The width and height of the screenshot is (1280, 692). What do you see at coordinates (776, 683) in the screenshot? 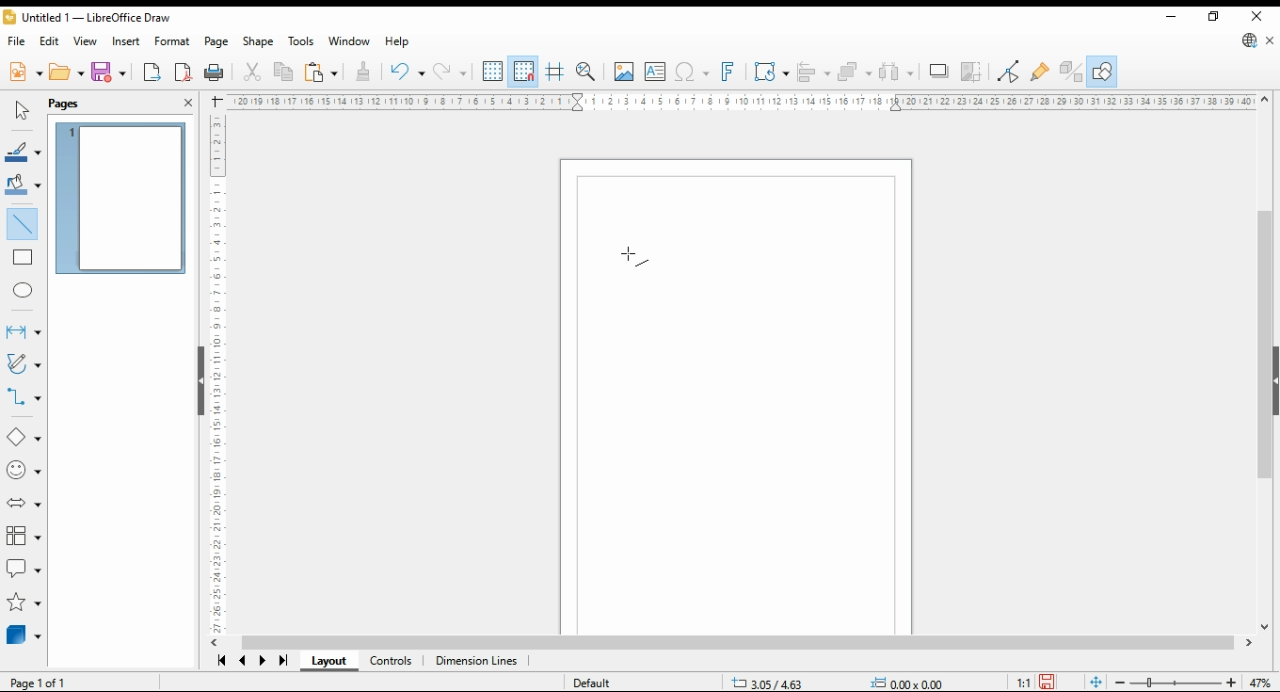
I see `-21.15/11.78` at bounding box center [776, 683].